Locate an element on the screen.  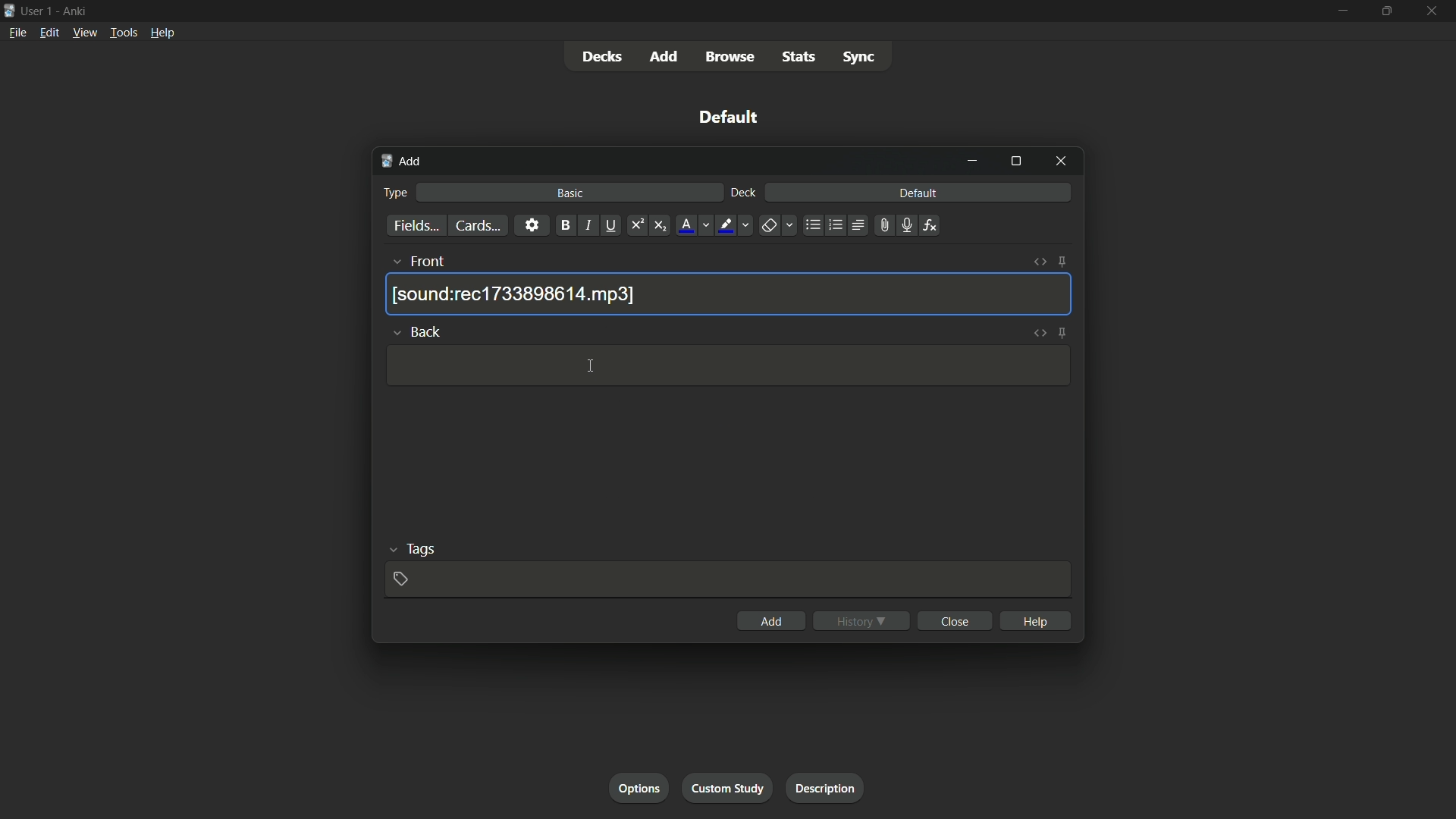
add tag is located at coordinates (401, 578).